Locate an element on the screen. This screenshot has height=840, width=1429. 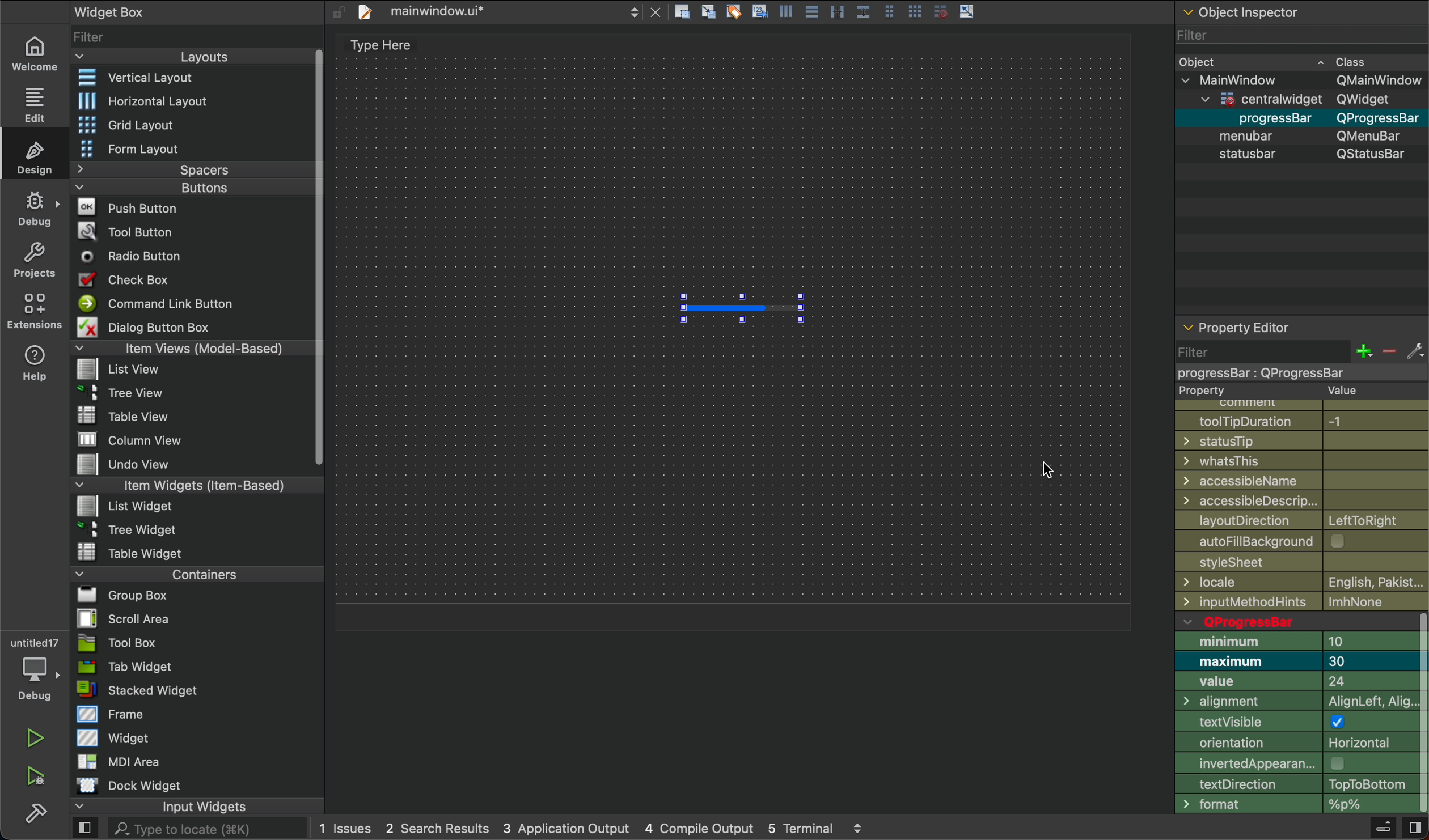
local is located at coordinates (1302, 582).